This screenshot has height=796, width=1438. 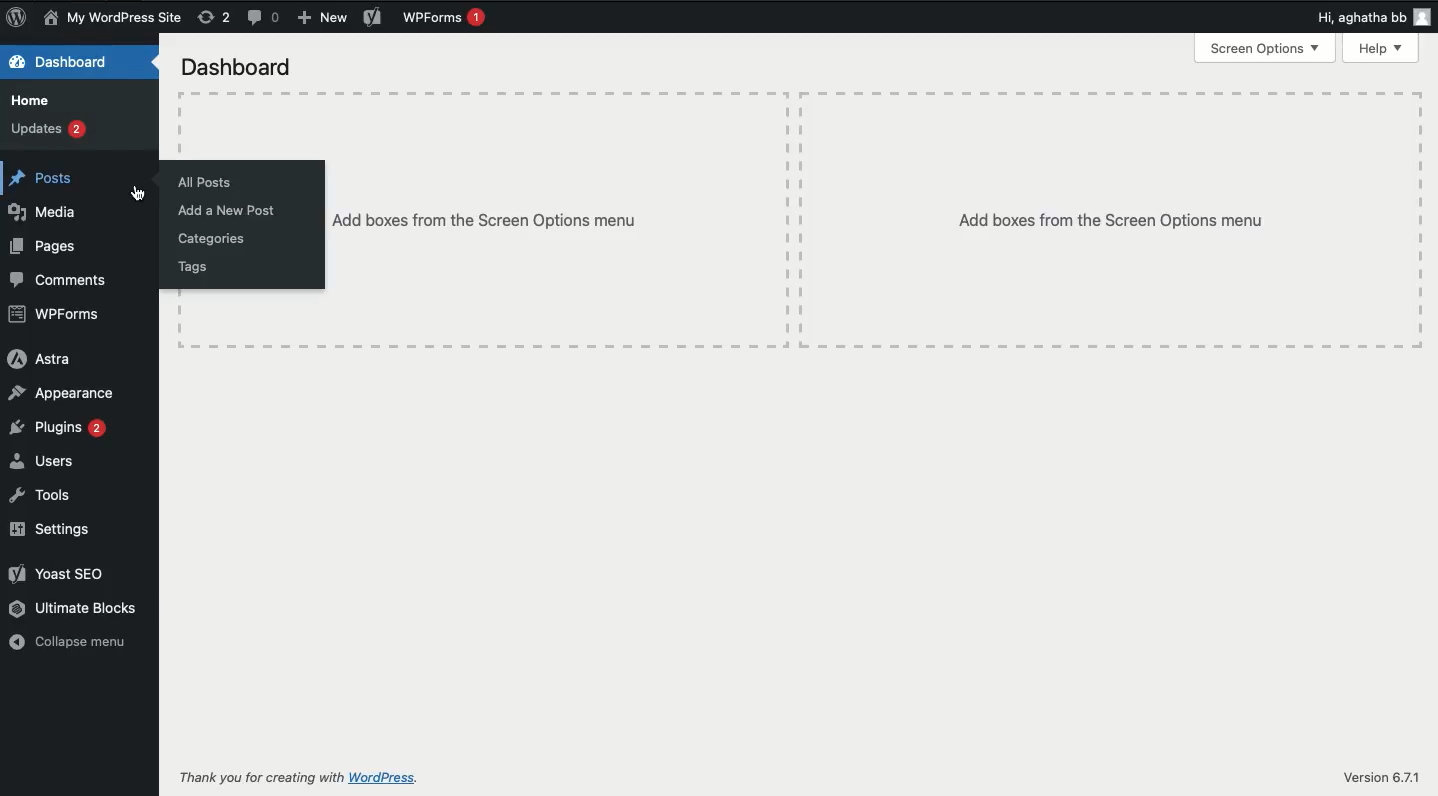 What do you see at coordinates (66, 394) in the screenshot?
I see `Appearance` at bounding box center [66, 394].